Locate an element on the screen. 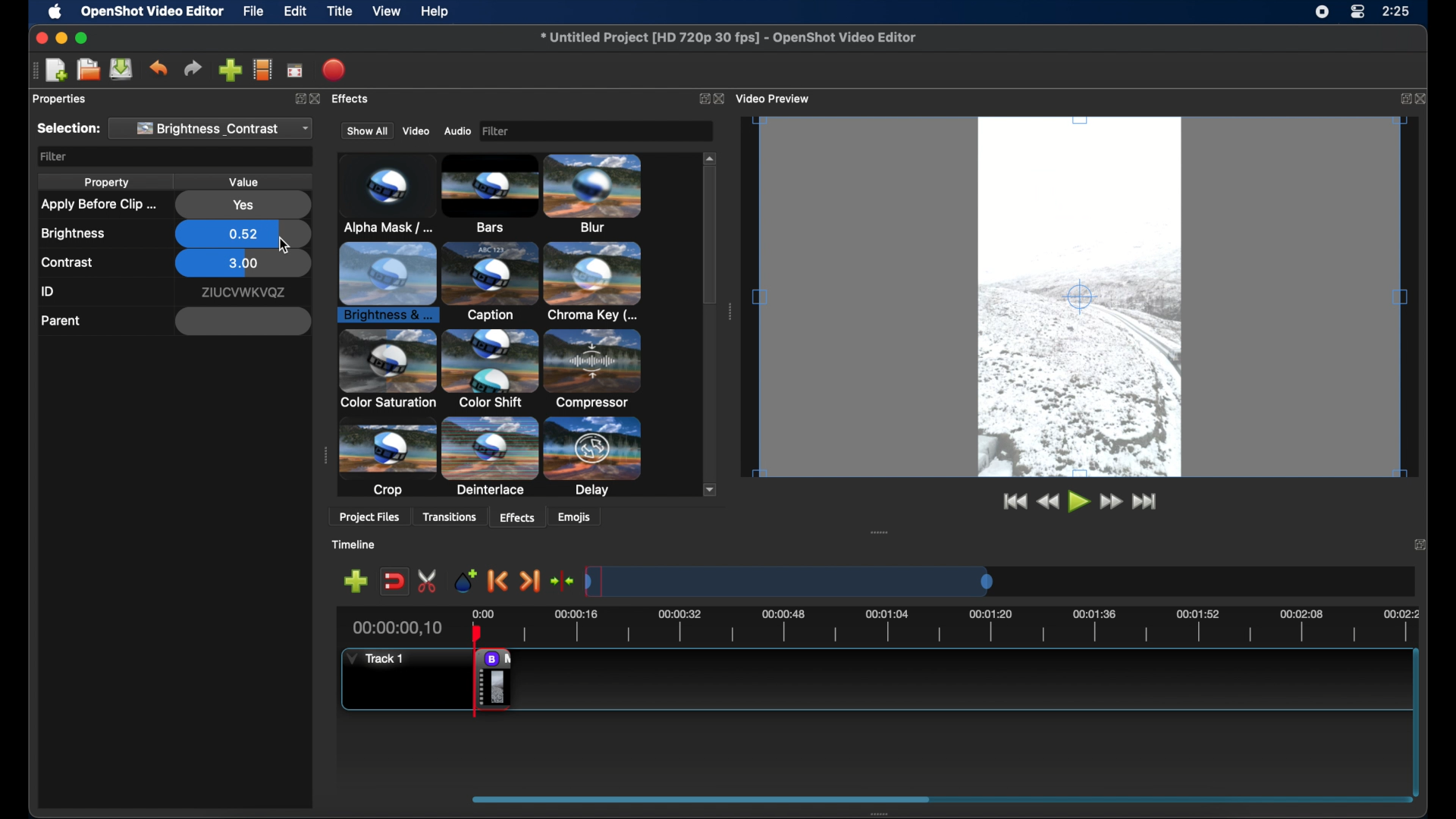 The height and width of the screenshot is (819, 1456). add track is located at coordinates (355, 581).